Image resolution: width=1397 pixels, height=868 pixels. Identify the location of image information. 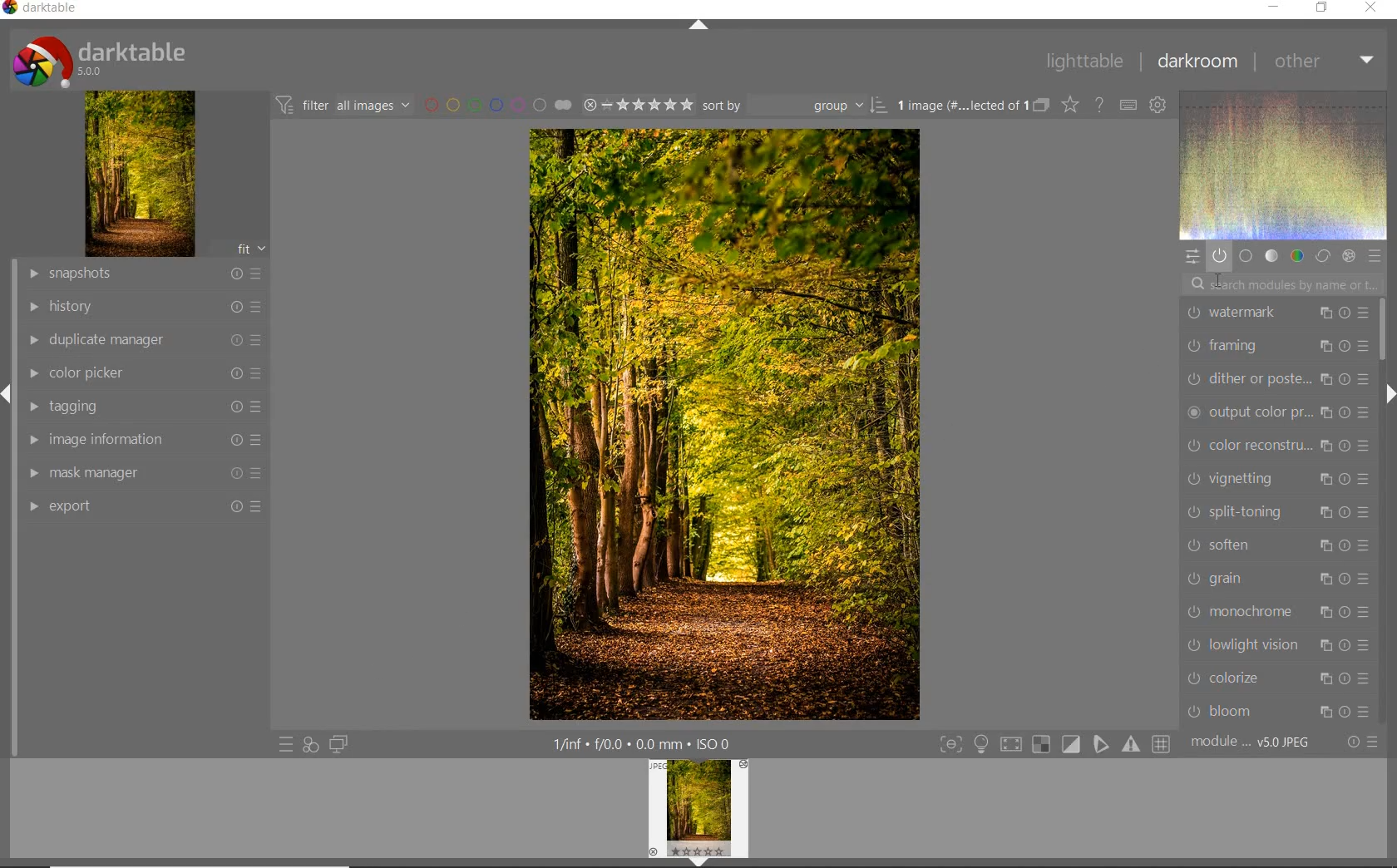
(141, 439).